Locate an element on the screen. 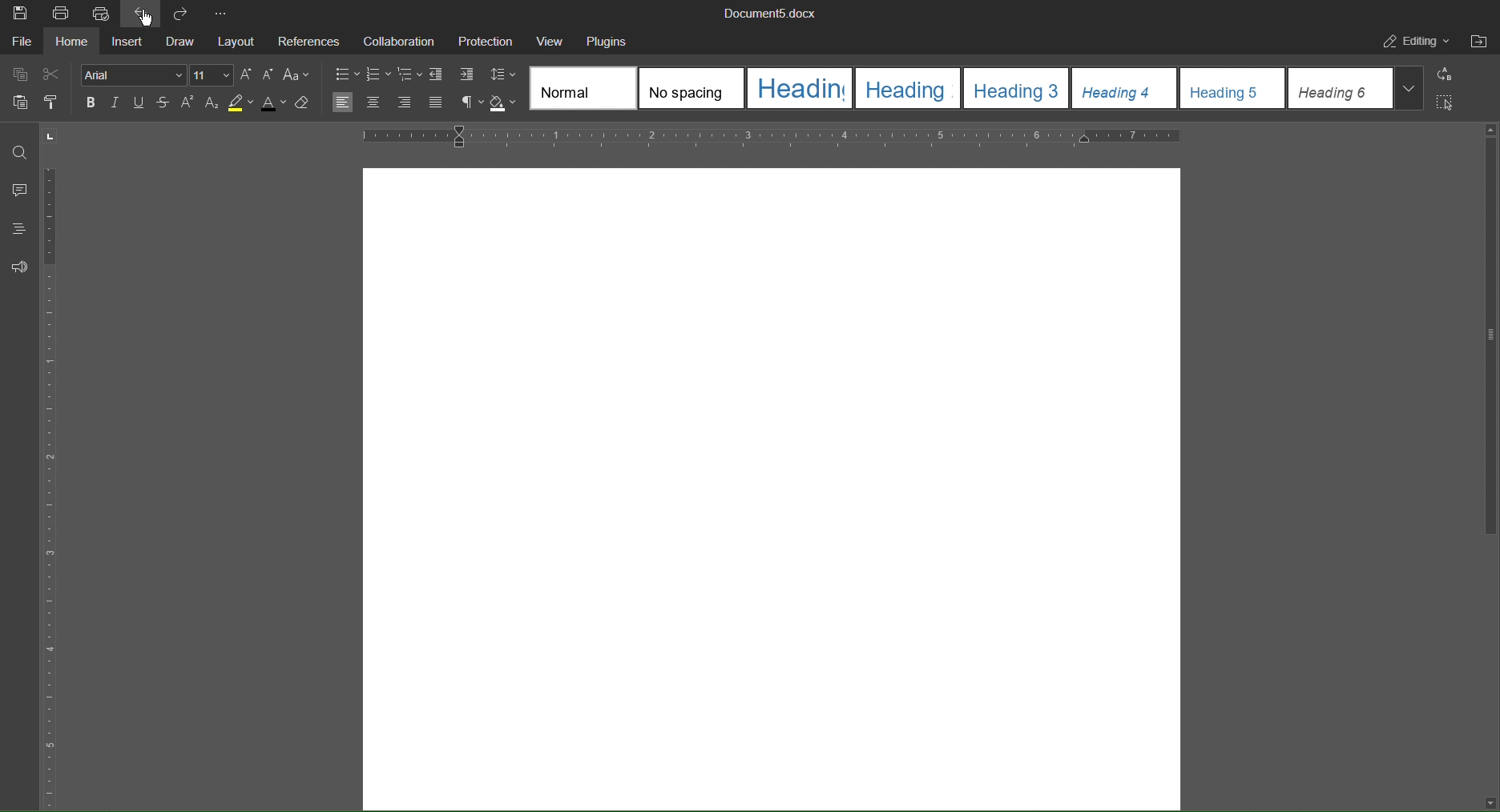 This screenshot has width=1500, height=812. numbering is located at coordinates (379, 75).